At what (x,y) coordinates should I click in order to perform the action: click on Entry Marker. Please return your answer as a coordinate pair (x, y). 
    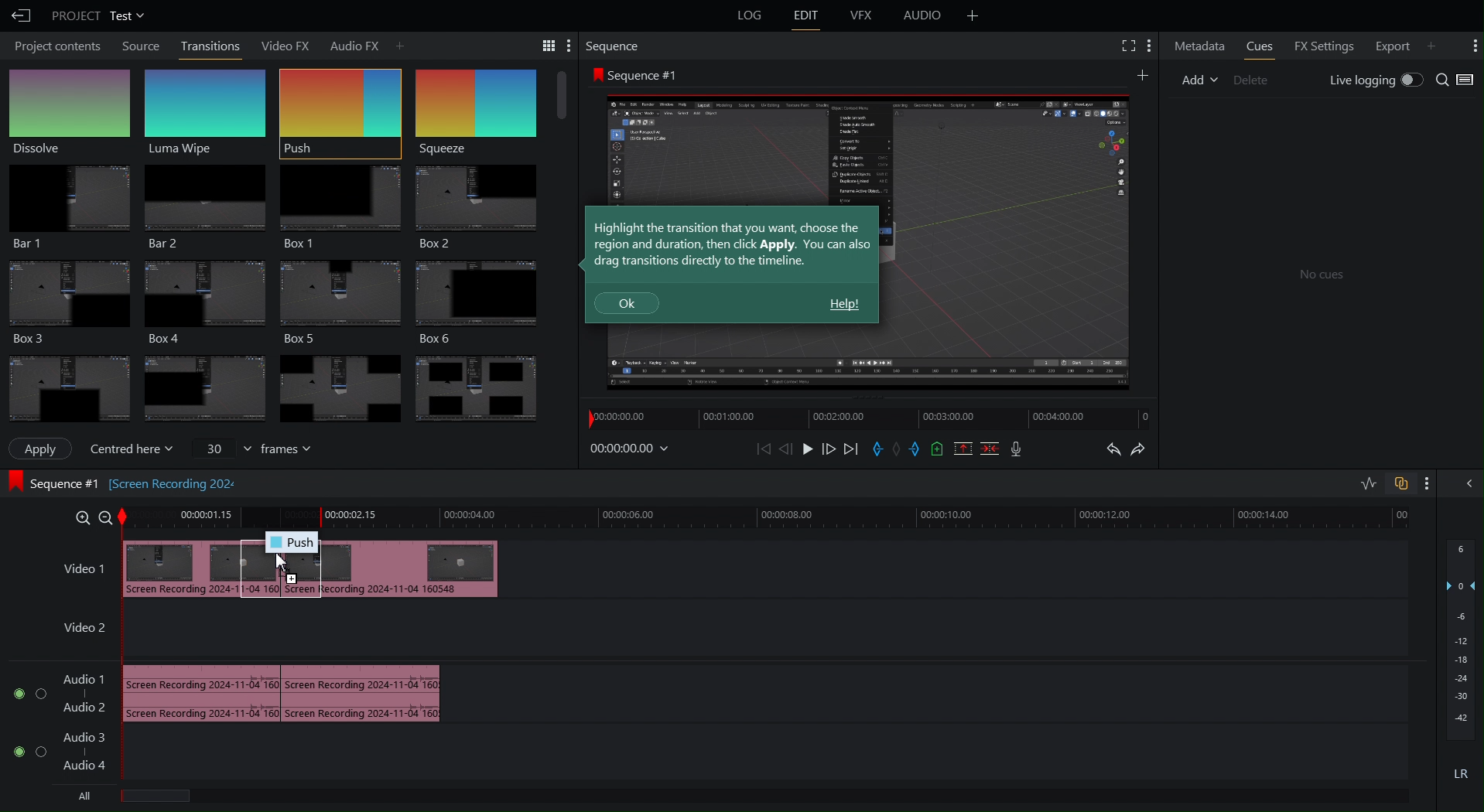
    Looking at the image, I should click on (878, 450).